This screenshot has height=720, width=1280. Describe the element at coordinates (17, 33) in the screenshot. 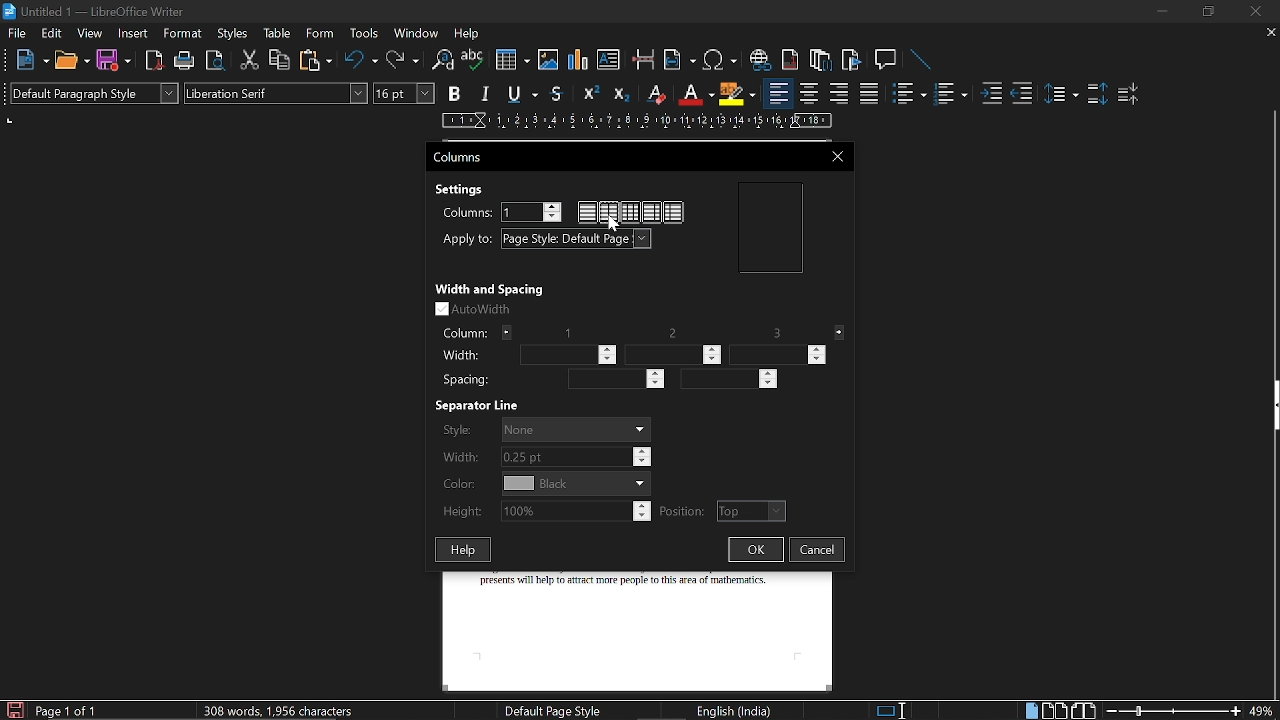

I see `File` at that location.